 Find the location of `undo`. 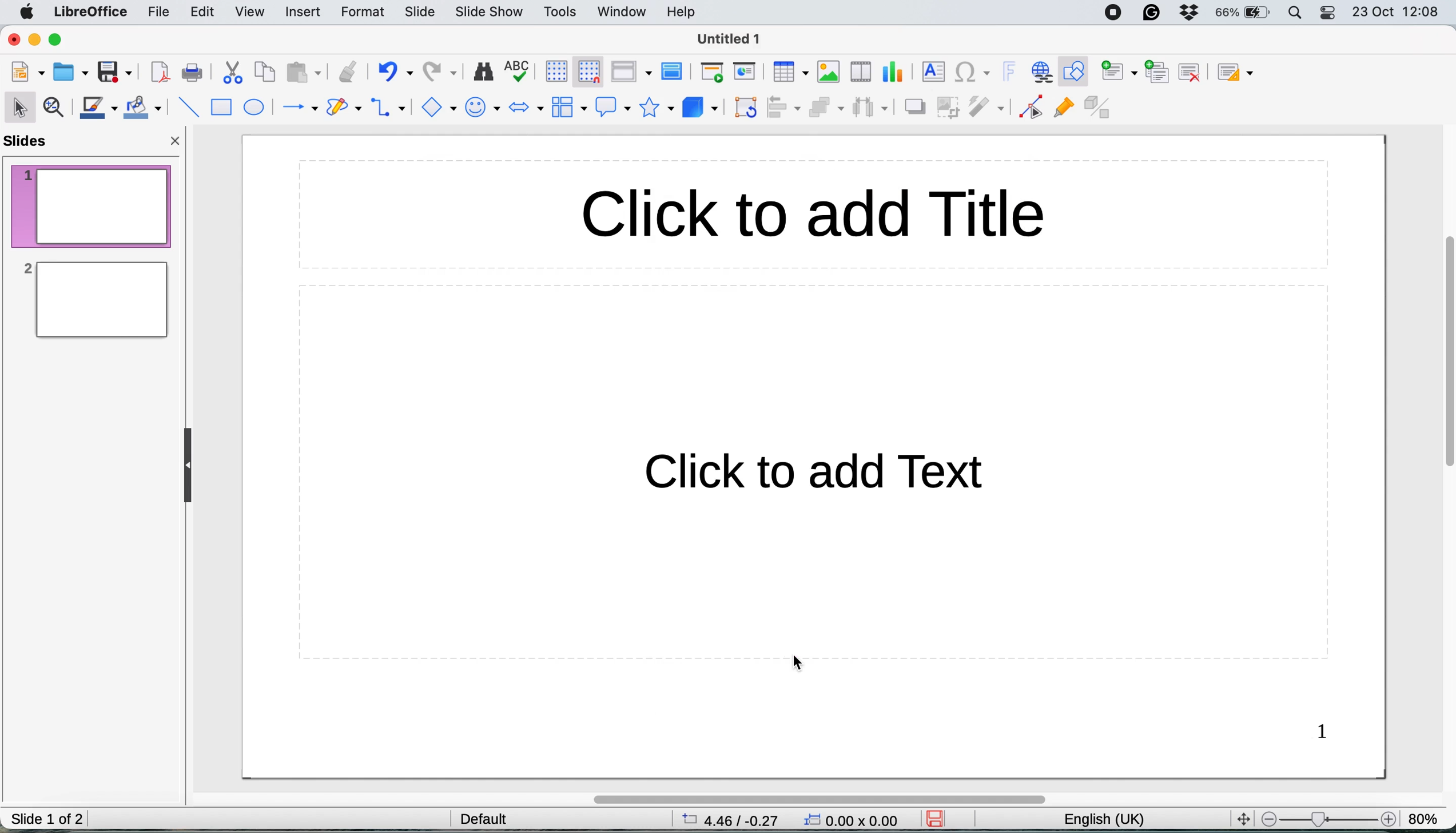

undo is located at coordinates (395, 73).